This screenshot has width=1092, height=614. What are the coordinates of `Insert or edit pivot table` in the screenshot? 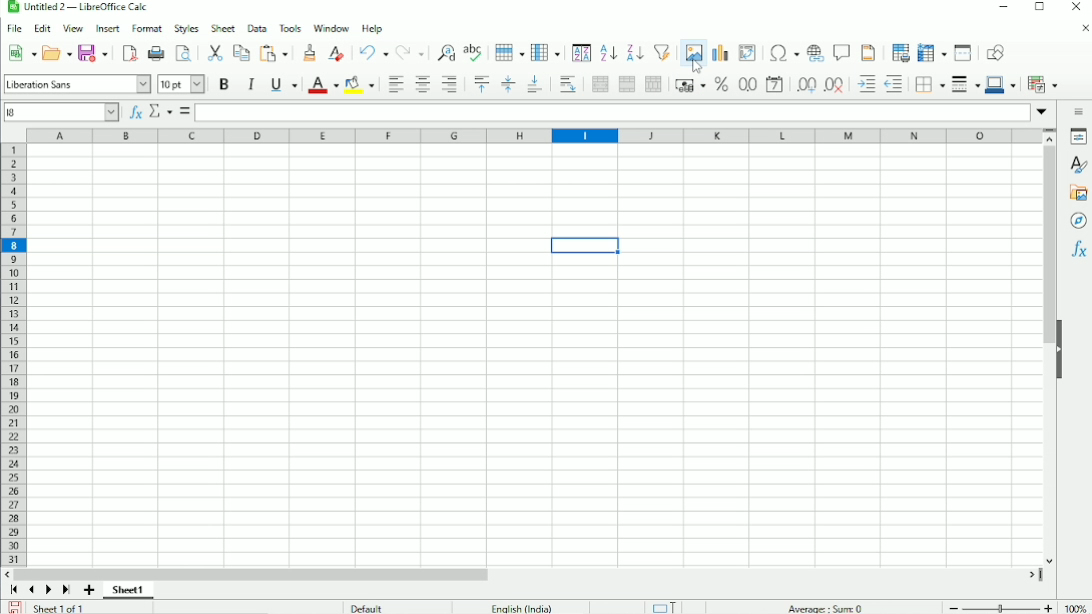 It's located at (747, 52).